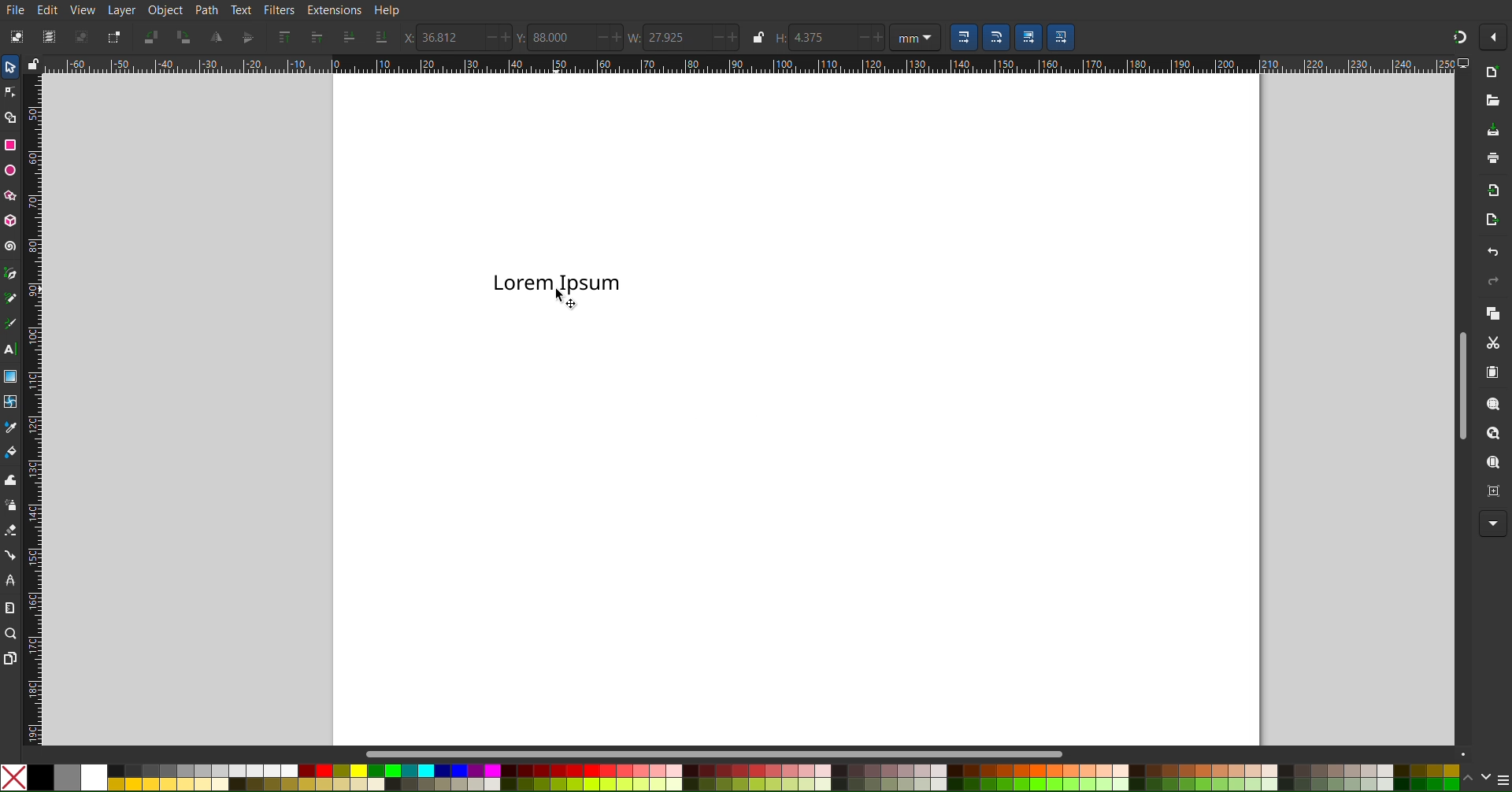 The height and width of the screenshot is (792, 1512). What do you see at coordinates (1062, 37) in the screenshot?
I see `Scaling Objects settings` at bounding box center [1062, 37].